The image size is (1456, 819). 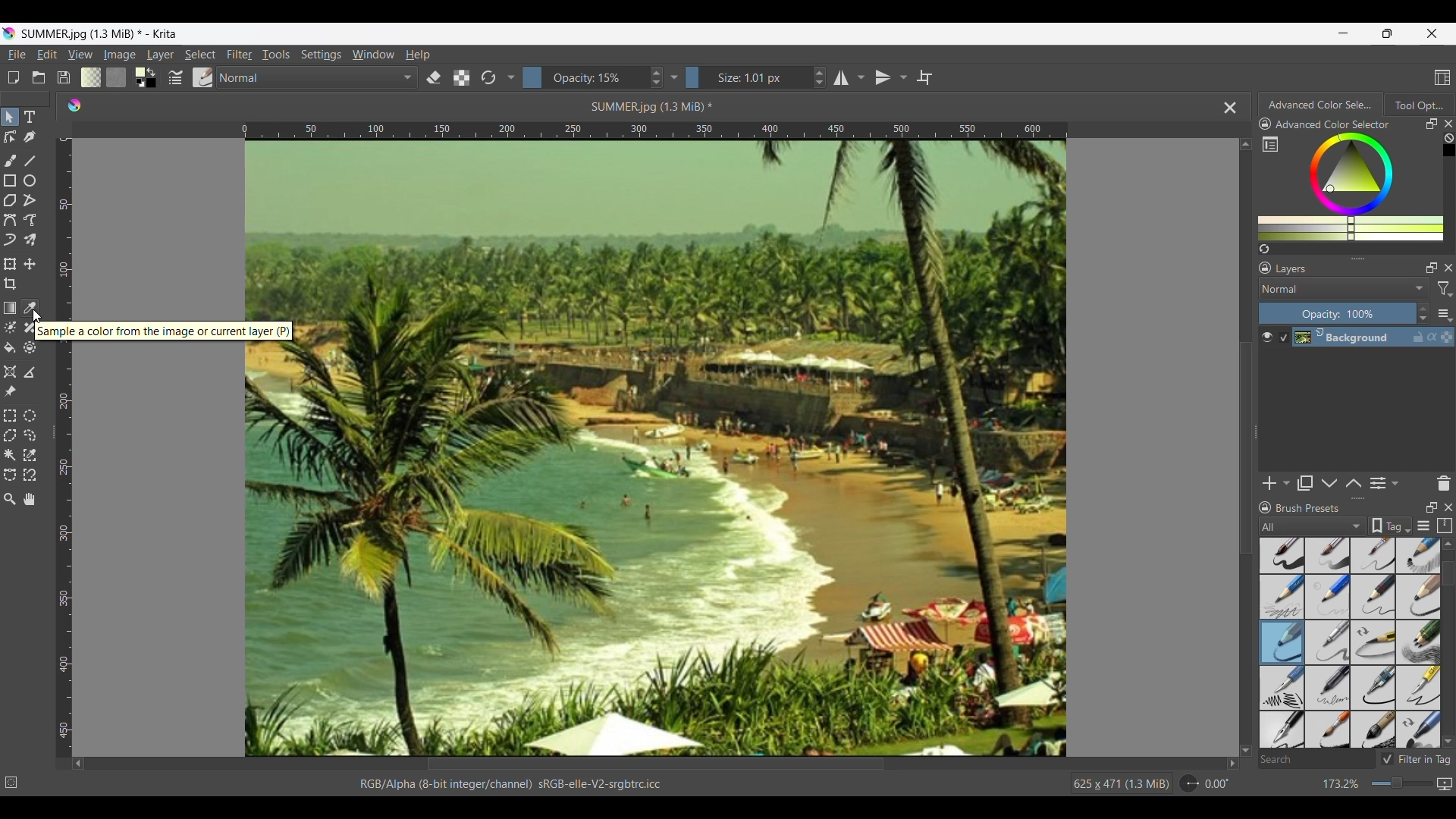 What do you see at coordinates (10, 475) in the screenshot?
I see `Bezier curve selection tool` at bounding box center [10, 475].